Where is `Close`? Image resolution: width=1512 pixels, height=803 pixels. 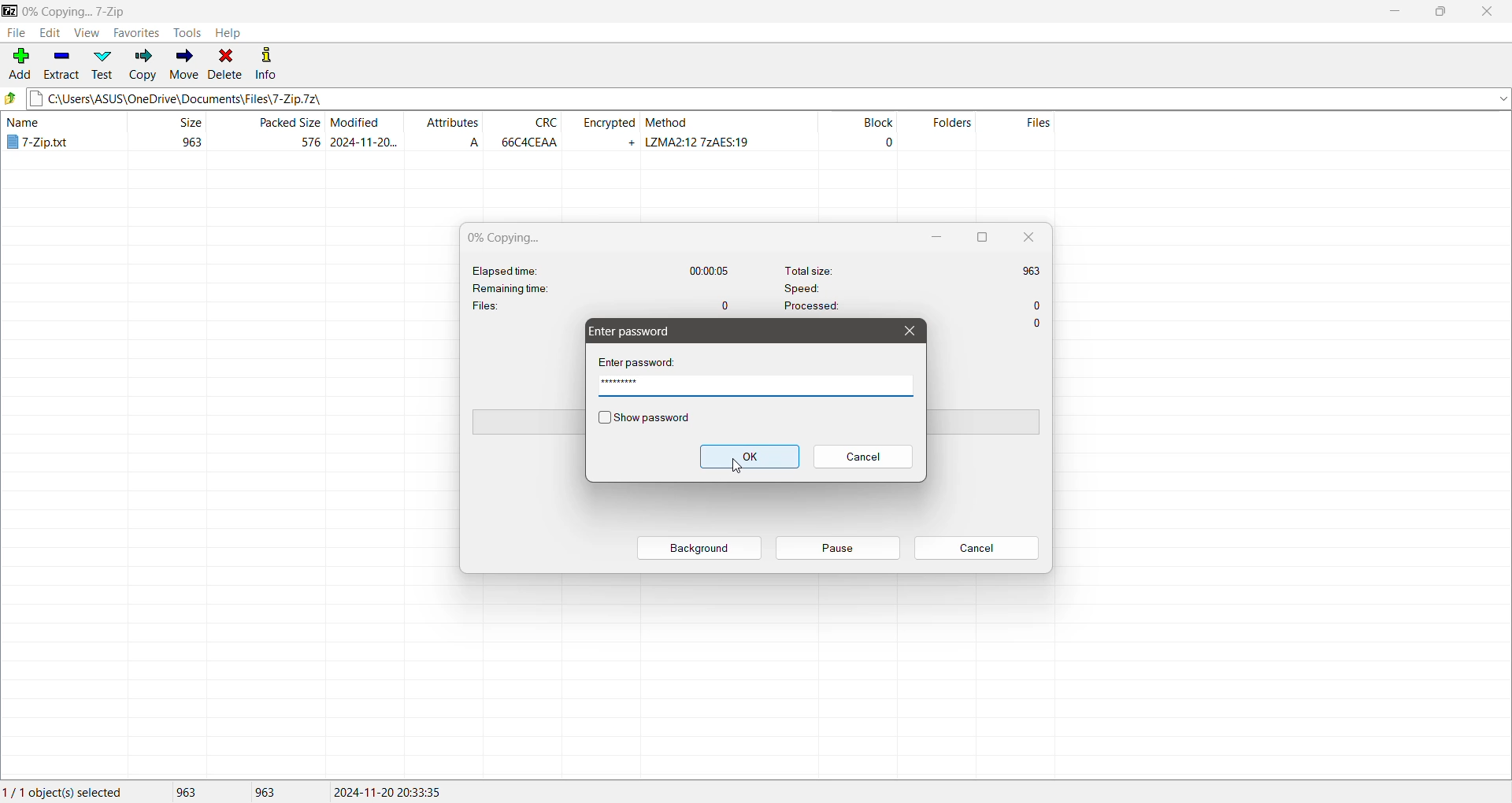 Close is located at coordinates (908, 331).